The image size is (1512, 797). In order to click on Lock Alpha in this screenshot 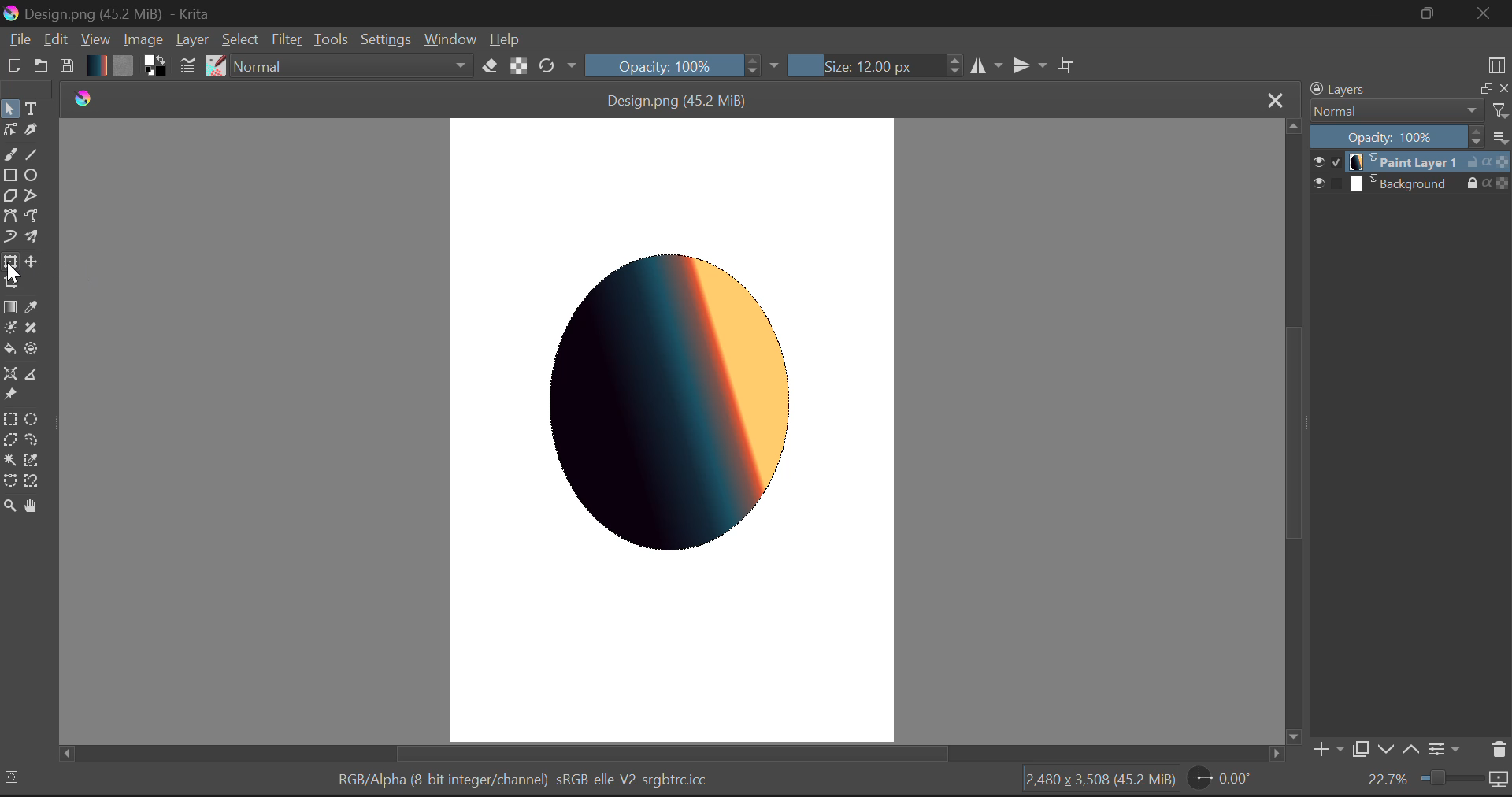, I will do `click(519, 65)`.